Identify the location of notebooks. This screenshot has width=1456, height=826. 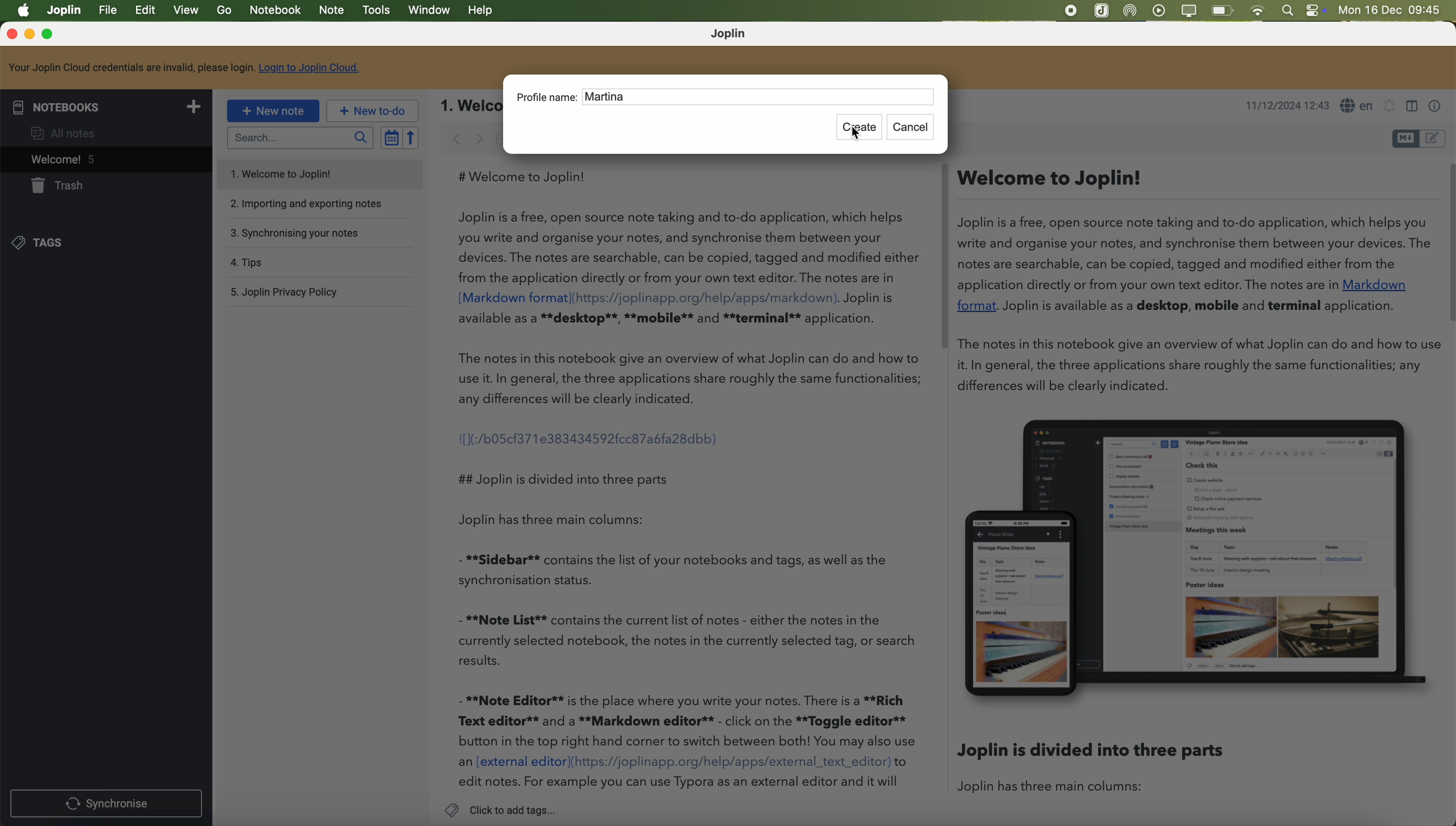
(105, 106).